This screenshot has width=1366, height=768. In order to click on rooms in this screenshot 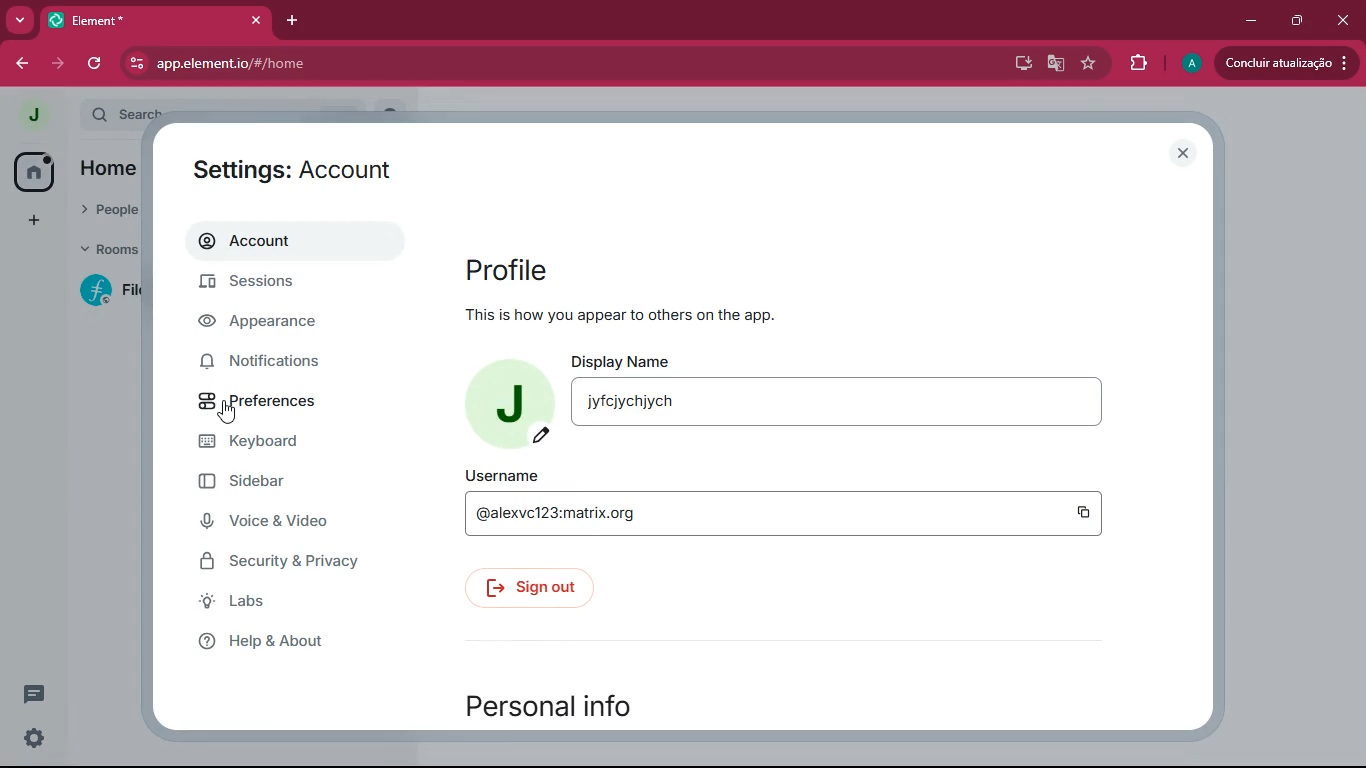, I will do `click(103, 252)`.